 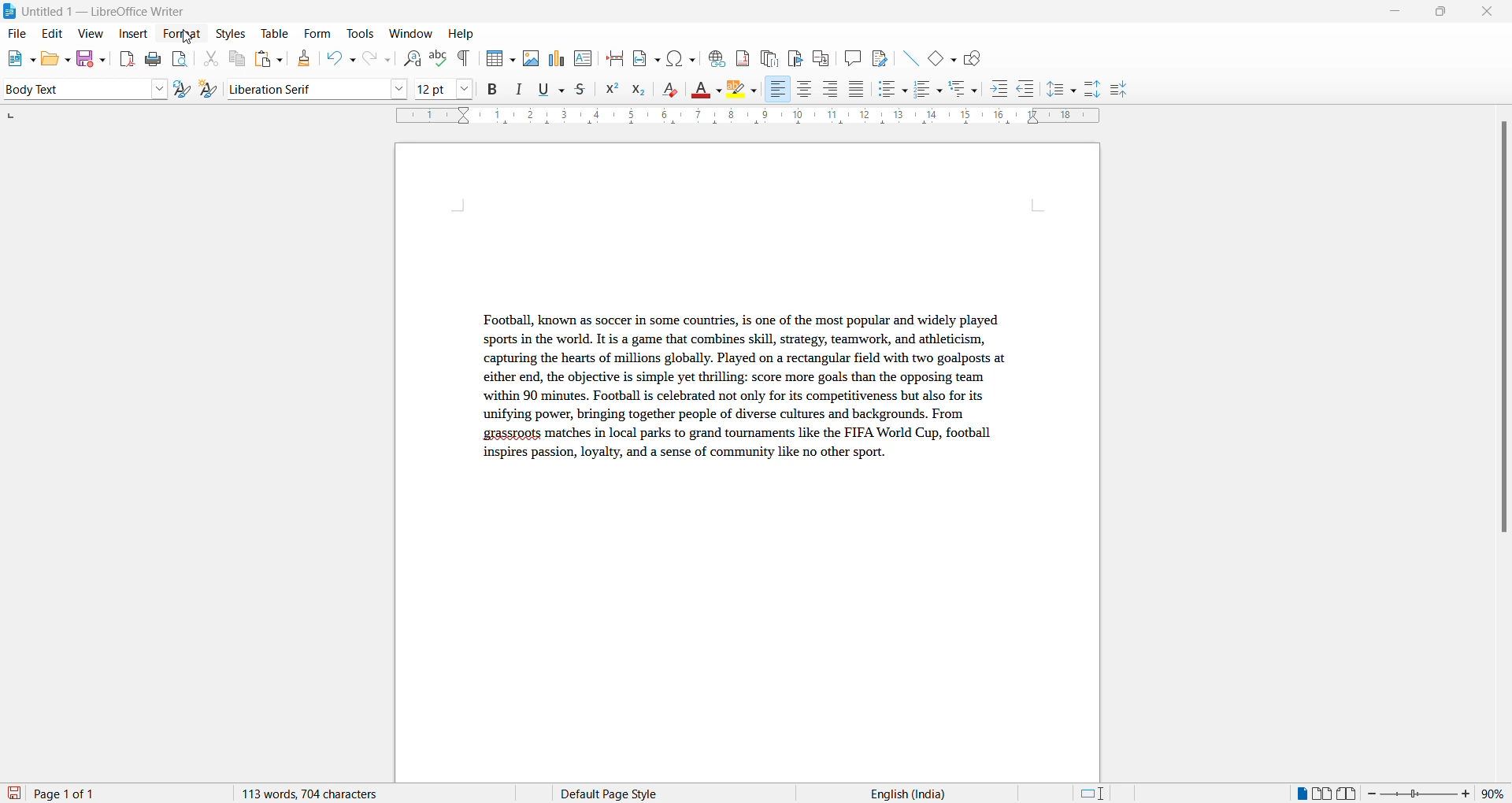 What do you see at coordinates (275, 33) in the screenshot?
I see `table` at bounding box center [275, 33].